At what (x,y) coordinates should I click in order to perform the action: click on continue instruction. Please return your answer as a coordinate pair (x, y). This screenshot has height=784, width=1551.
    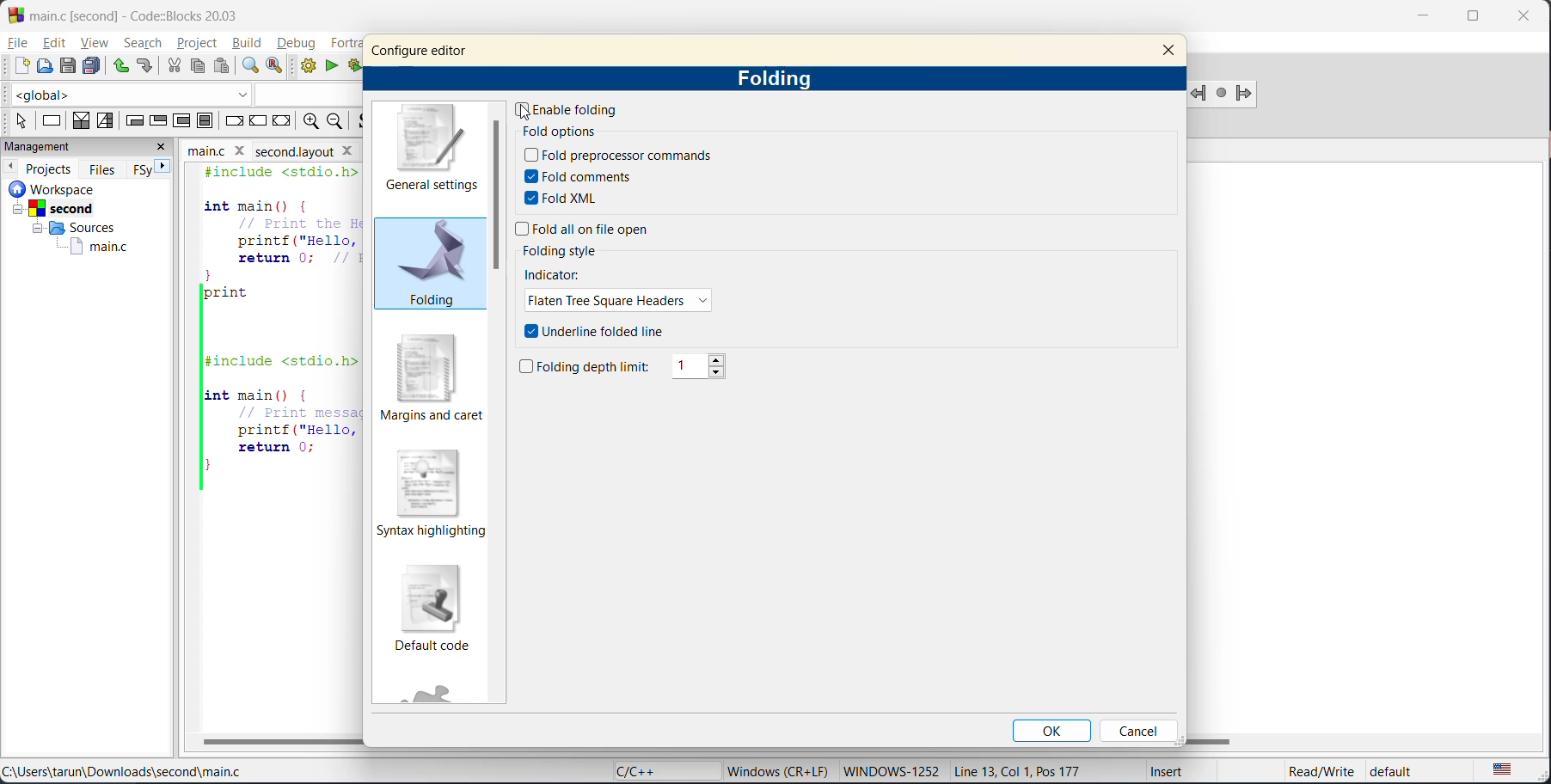
    Looking at the image, I should click on (259, 122).